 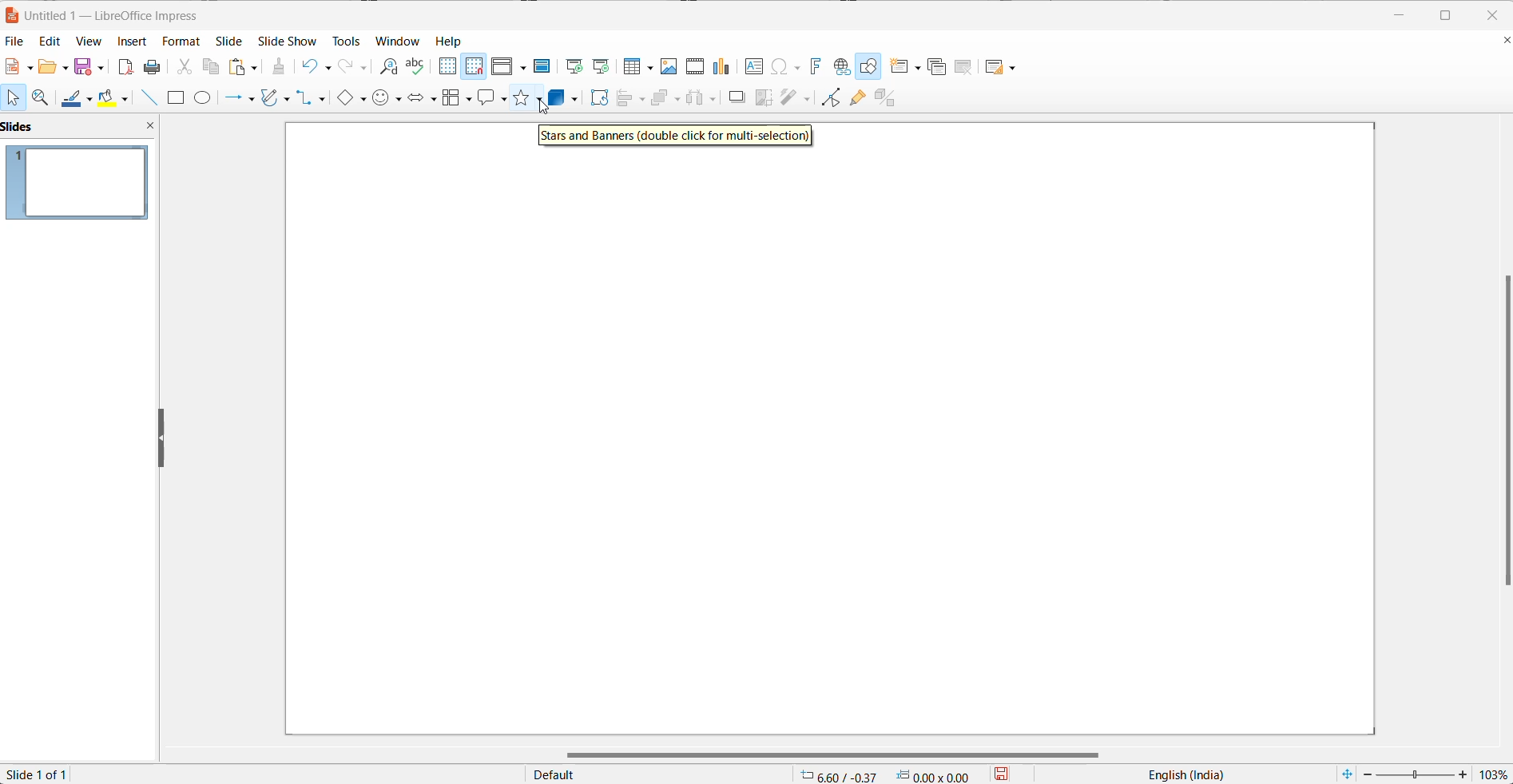 I want to click on insert text, so click(x=755, y=69).